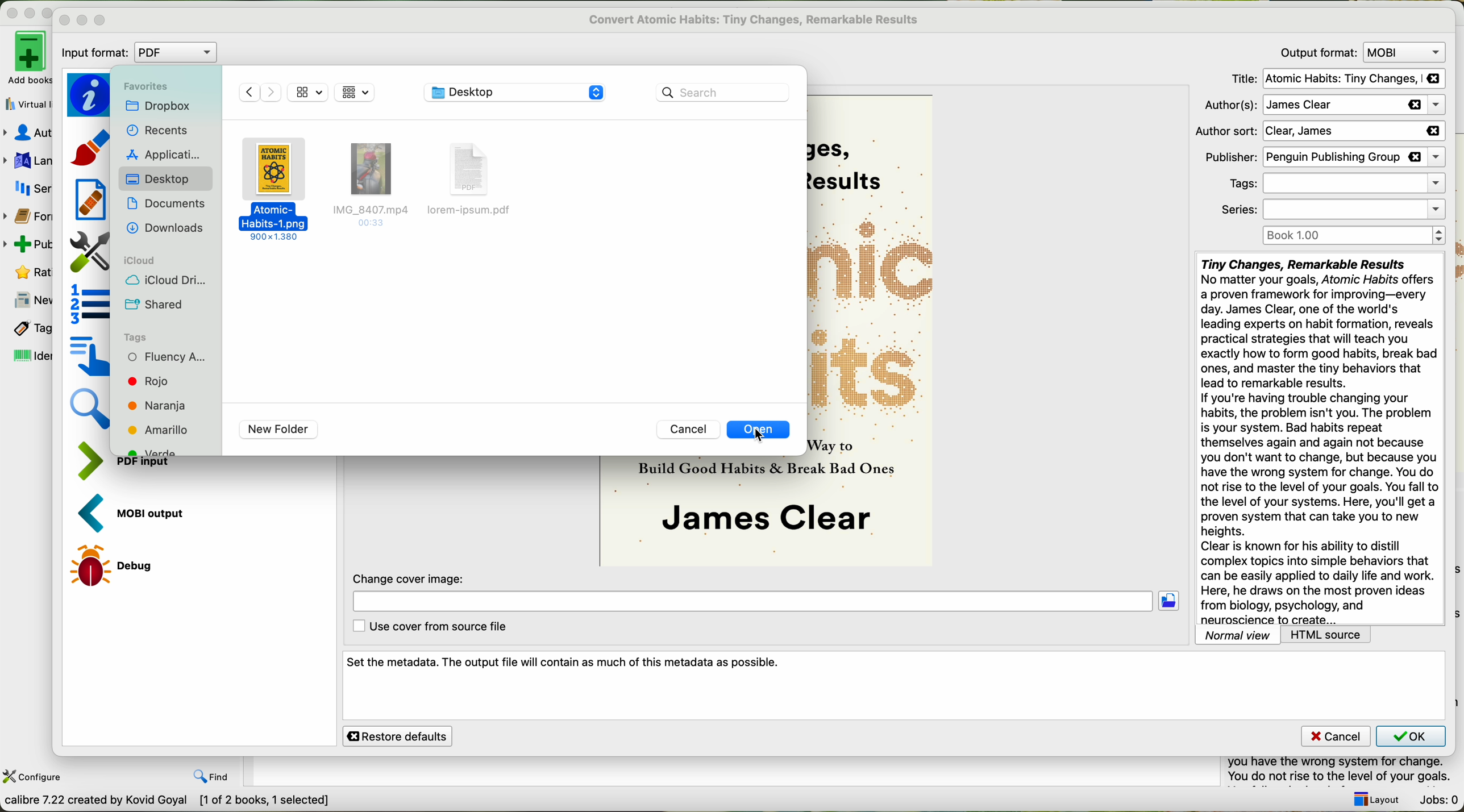 Image resolution: width=1464 pixels, height=812 pixels. I want to click on search and replace, so click(92, 411).